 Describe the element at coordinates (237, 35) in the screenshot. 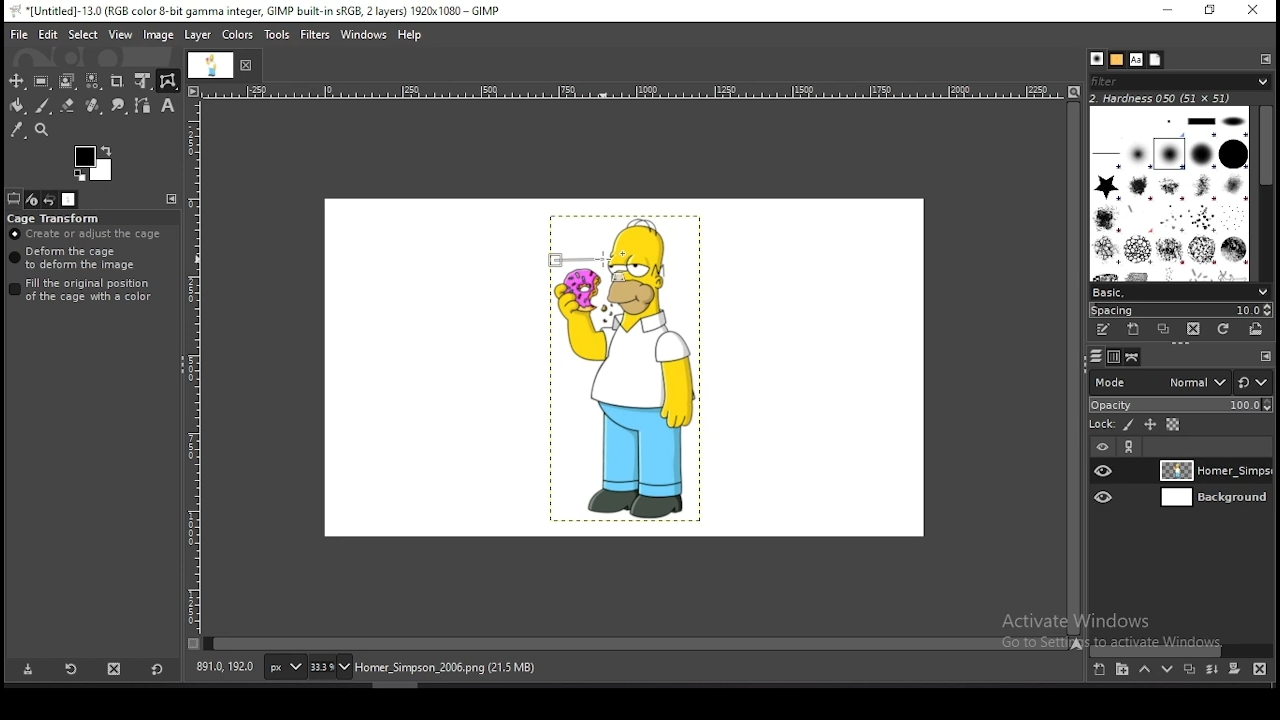

I see `colors` at that location.